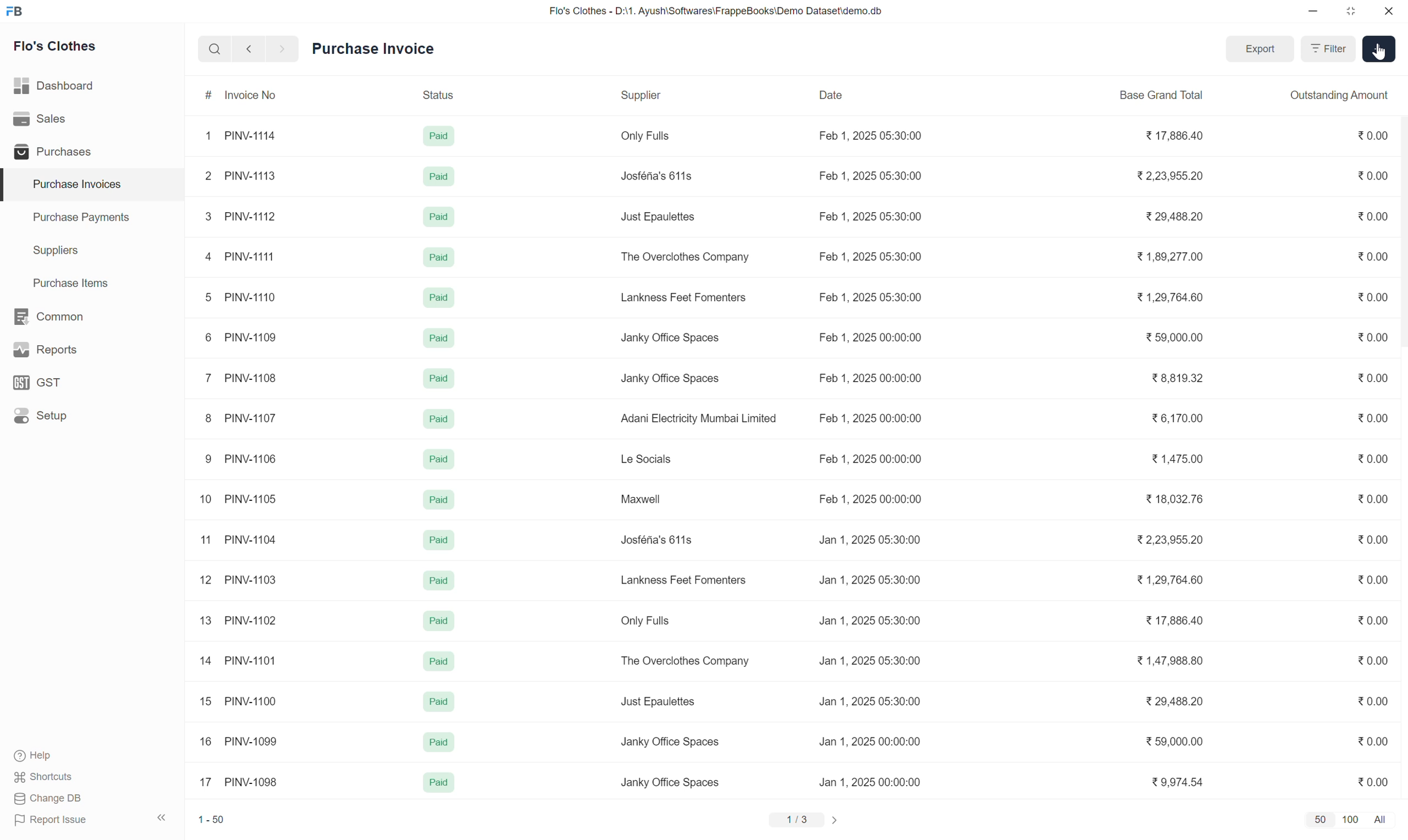 This screenshot has width=1408, height=840. Describe the element at coordinates (1351, 820) in the screenshot. I see `100` at that location.